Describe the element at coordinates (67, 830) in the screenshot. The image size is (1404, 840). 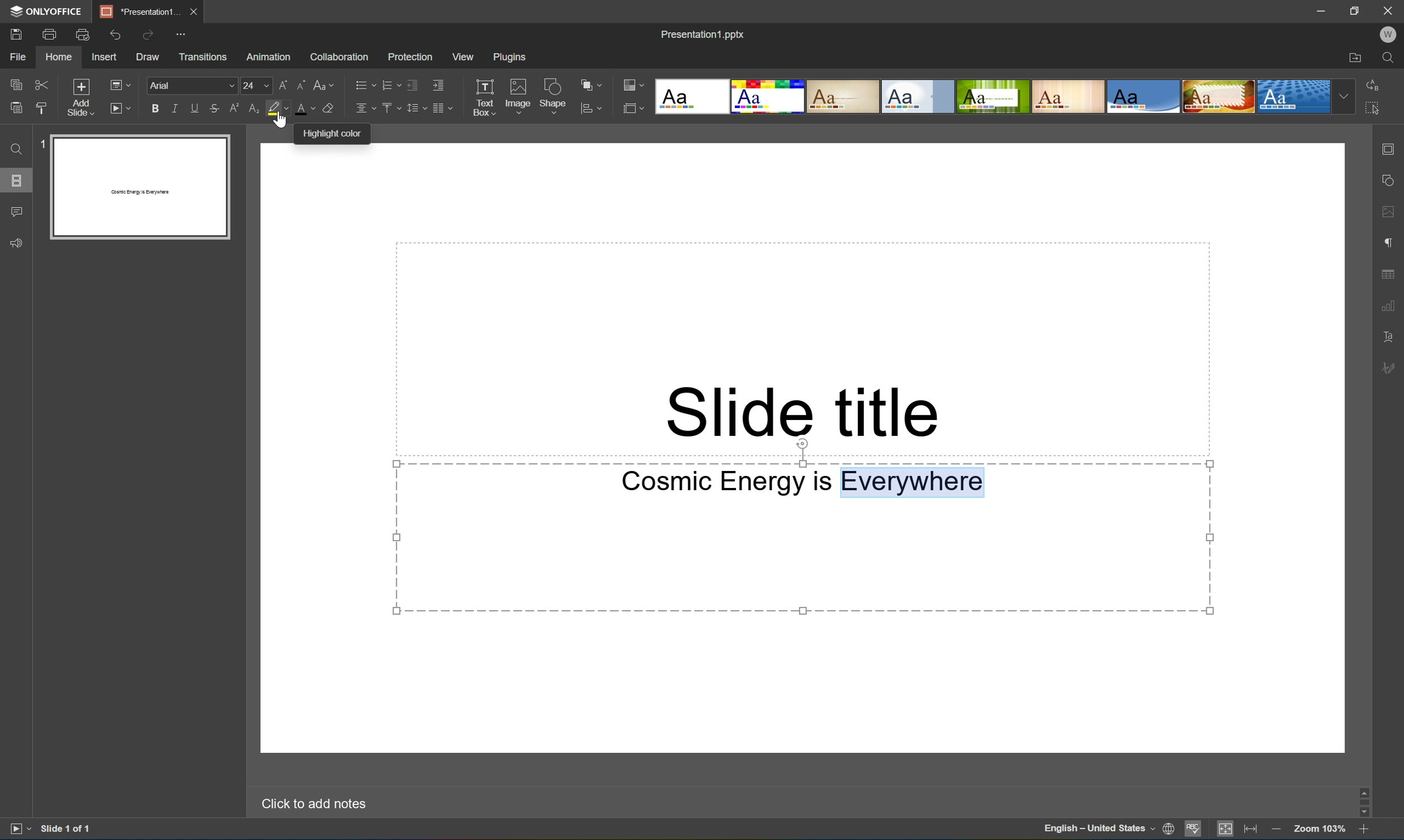
I see `Slide 1 of 1` at that location.